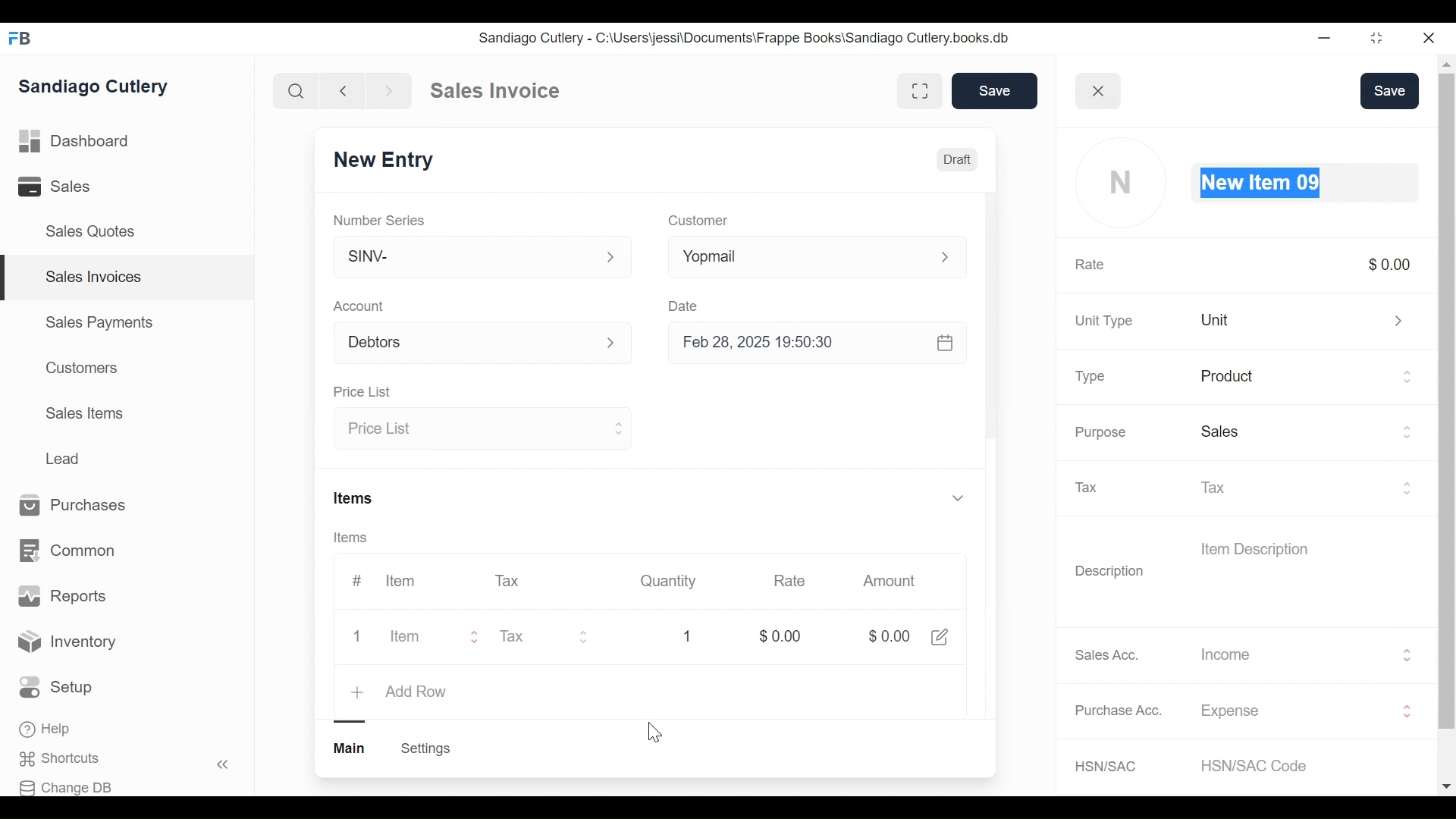 This screenshot has width=1456, height=819. Describe the element at coordinates (1104, 322) in the screenshot. I see `Unit Type` at that location.